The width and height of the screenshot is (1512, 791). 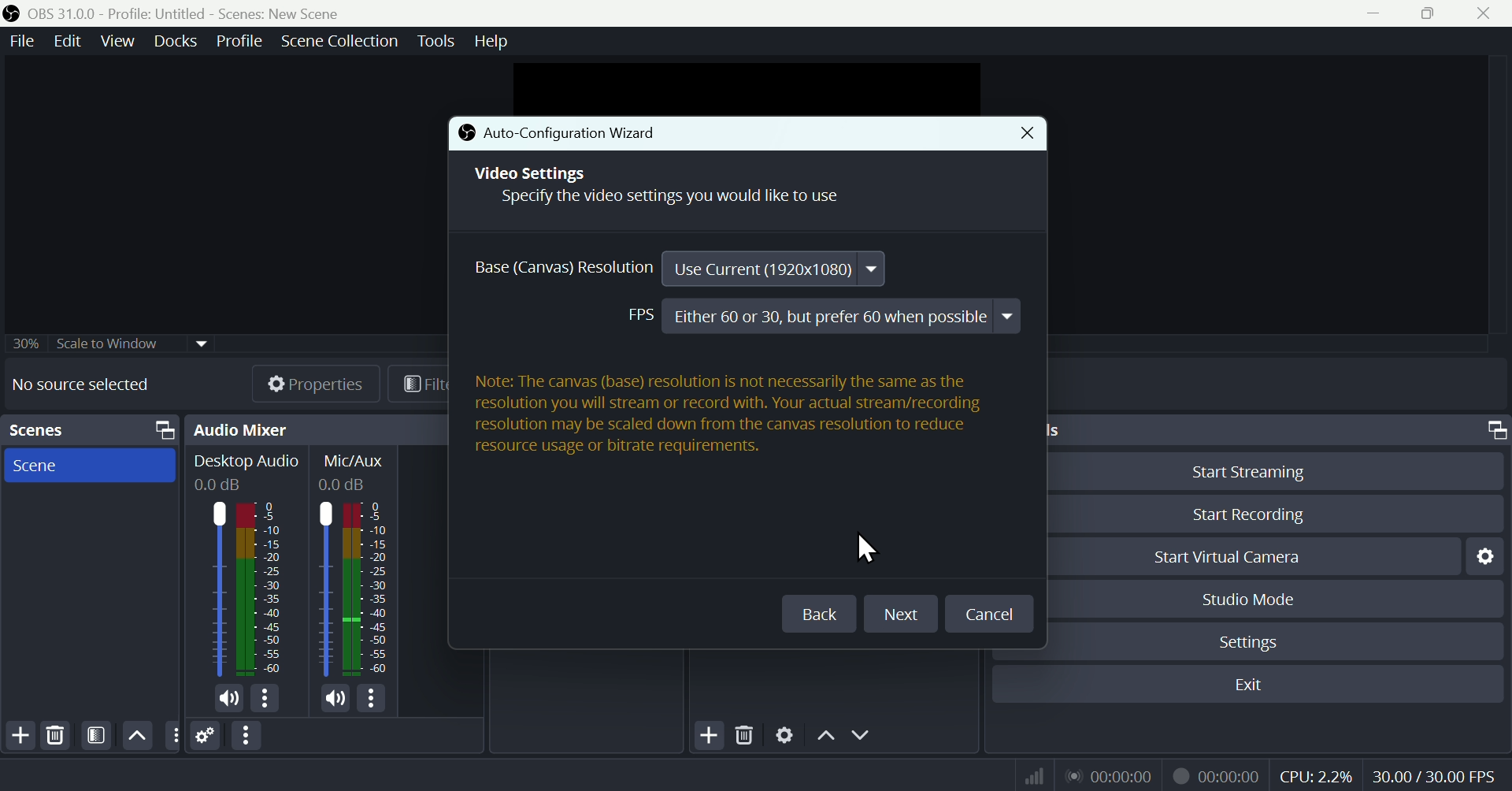 What do you see at coordinates (638, 316) in the screenshot?
I see `FPS` at bounding box center [638, 316].